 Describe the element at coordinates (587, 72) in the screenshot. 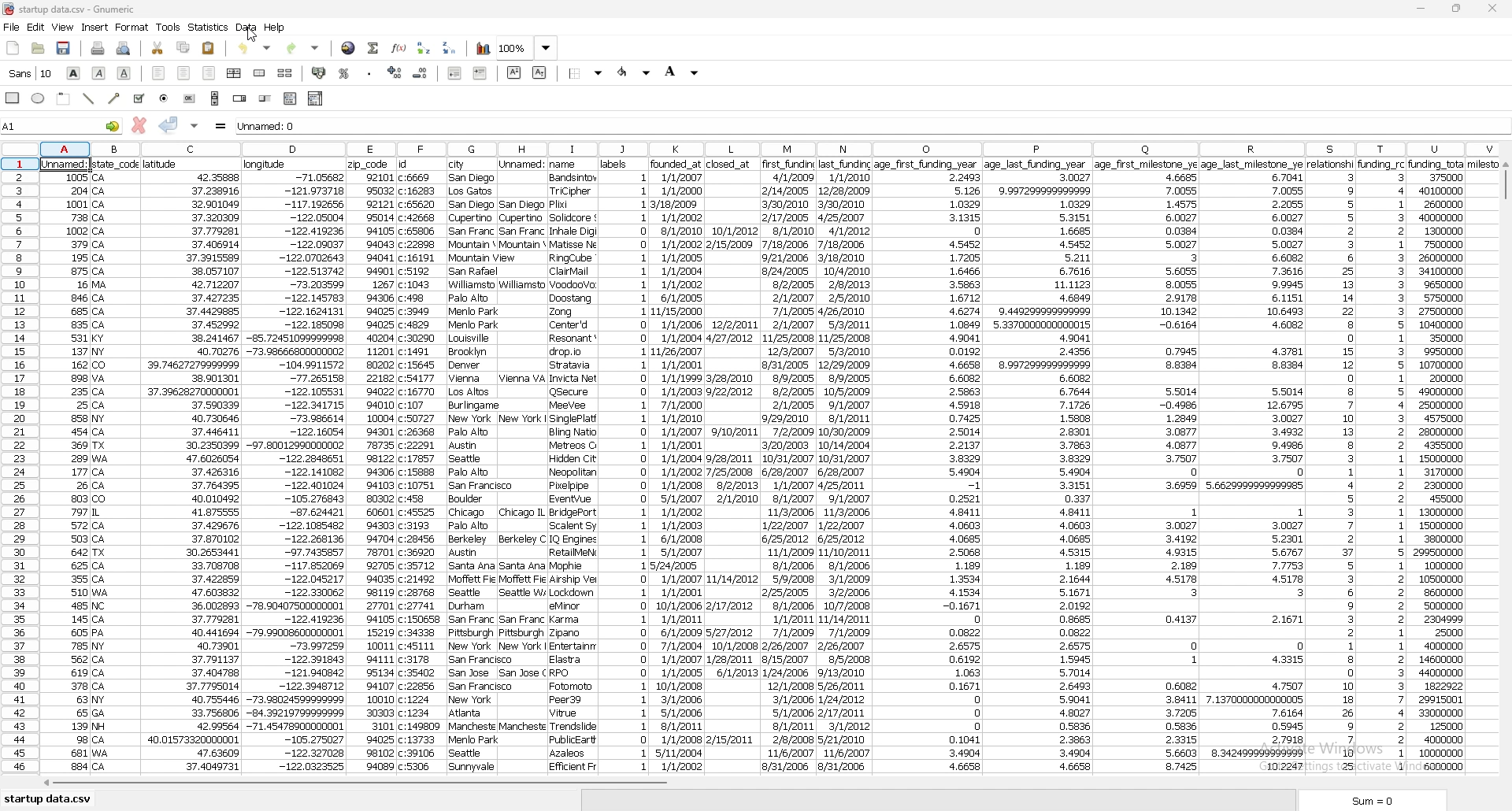

I see `border` at that location.